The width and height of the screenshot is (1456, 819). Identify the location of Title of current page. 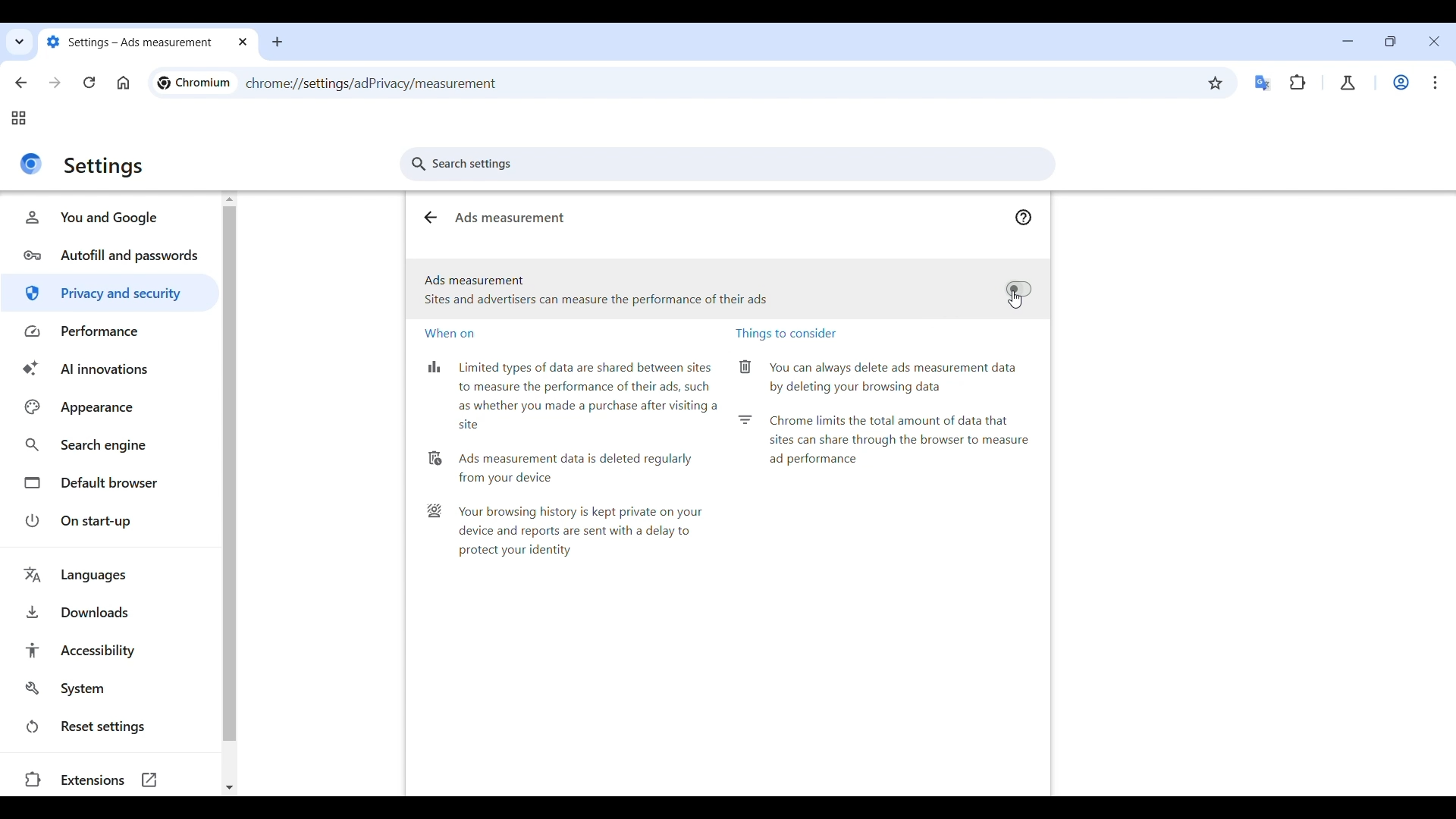
(103, 168).